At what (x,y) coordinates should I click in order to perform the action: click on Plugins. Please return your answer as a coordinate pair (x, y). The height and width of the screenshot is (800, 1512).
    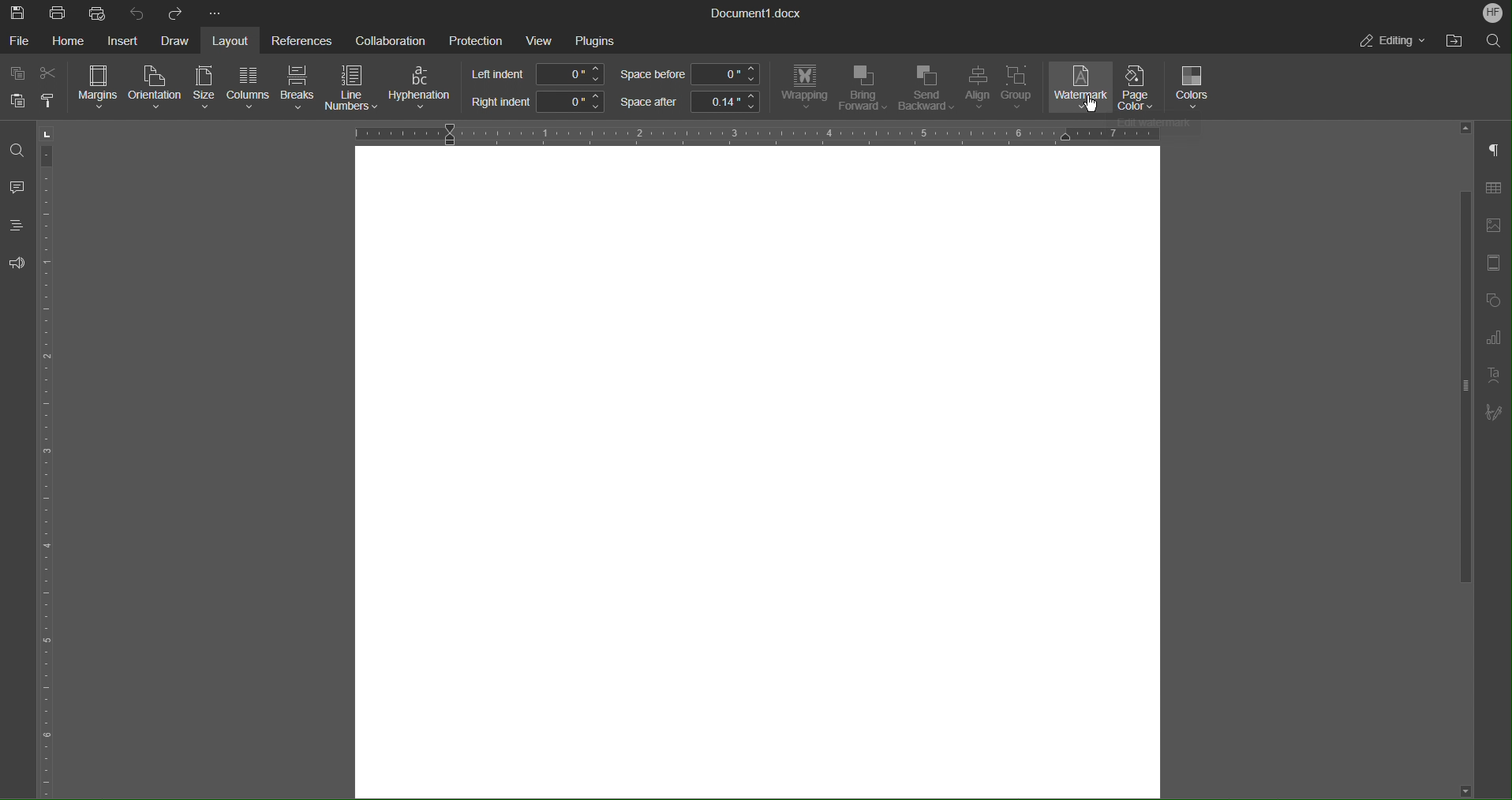
    Looking at the image, I should click on (595, 41).